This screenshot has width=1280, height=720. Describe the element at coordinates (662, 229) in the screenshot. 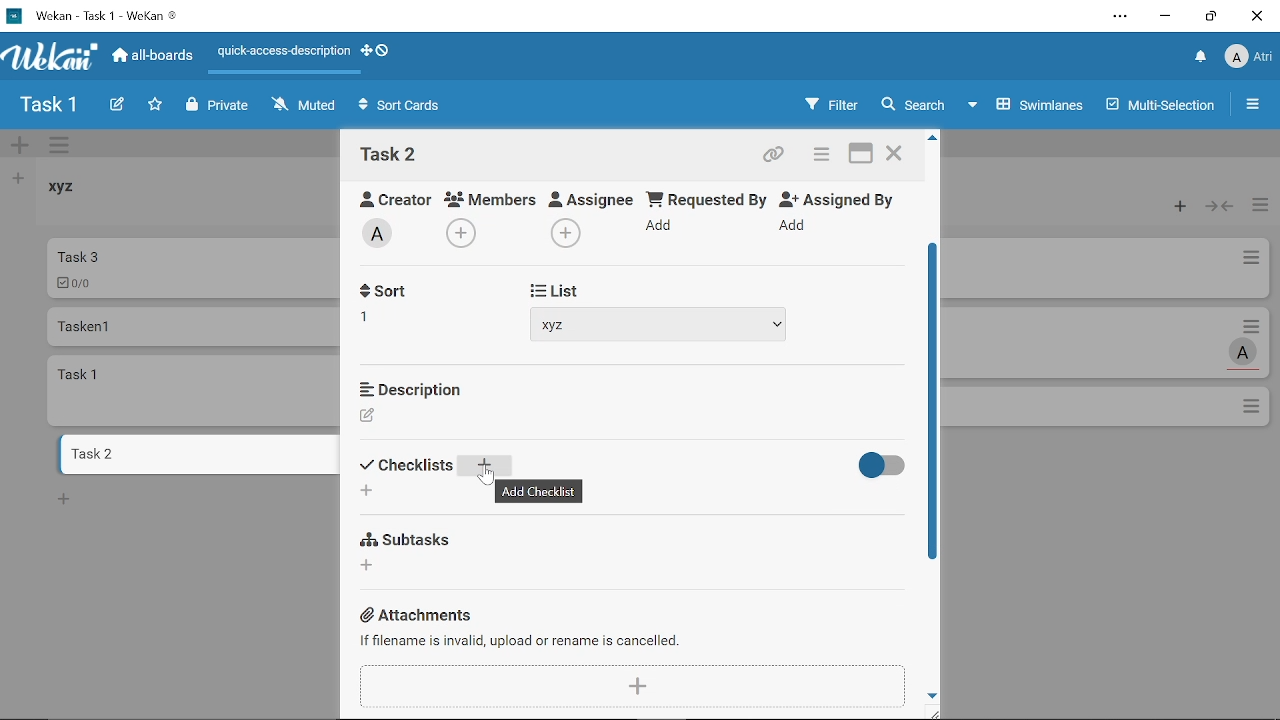

I see `Add` at that location.